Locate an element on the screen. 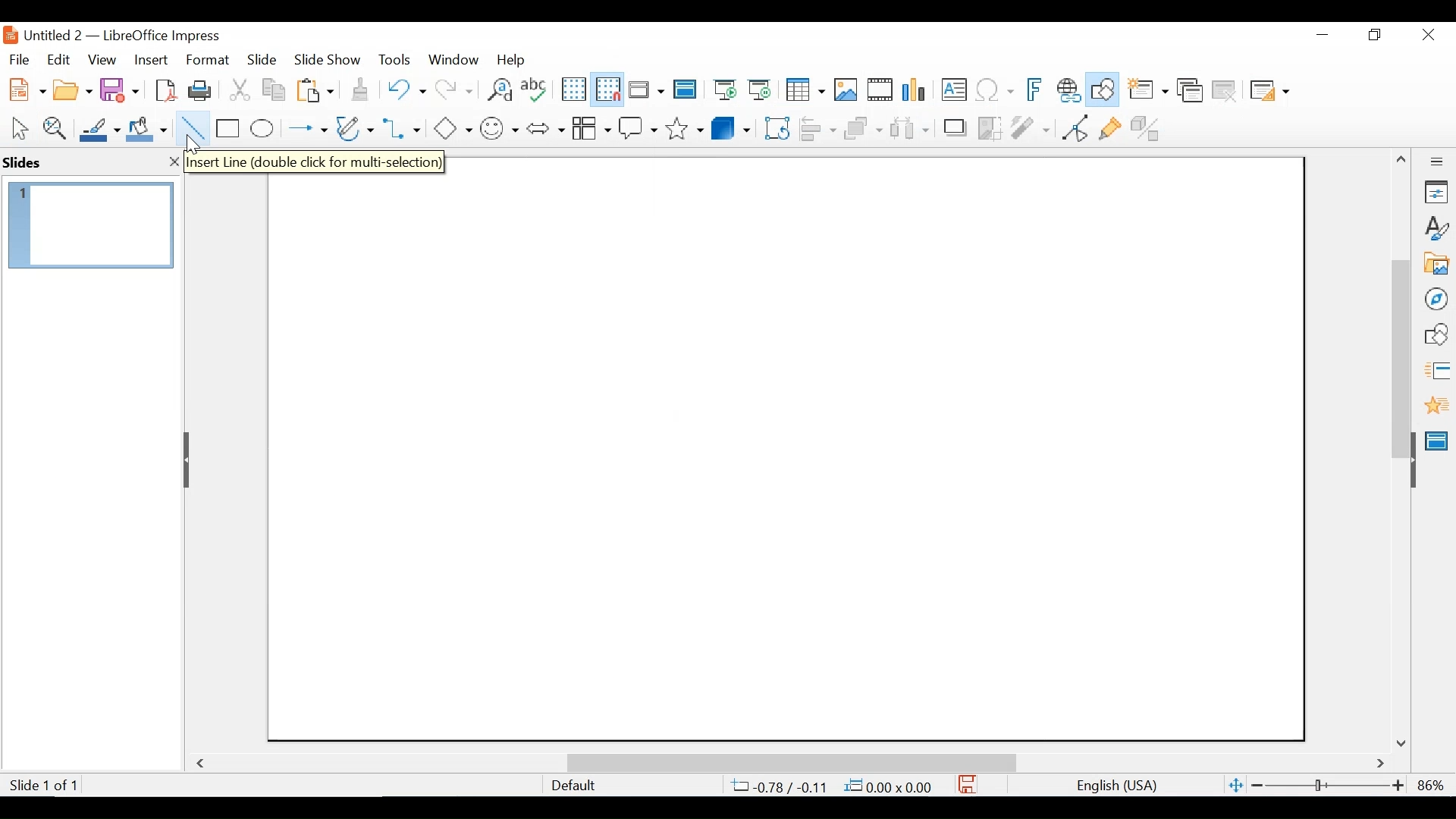  Navigator is located at coordinates (1436, 298).